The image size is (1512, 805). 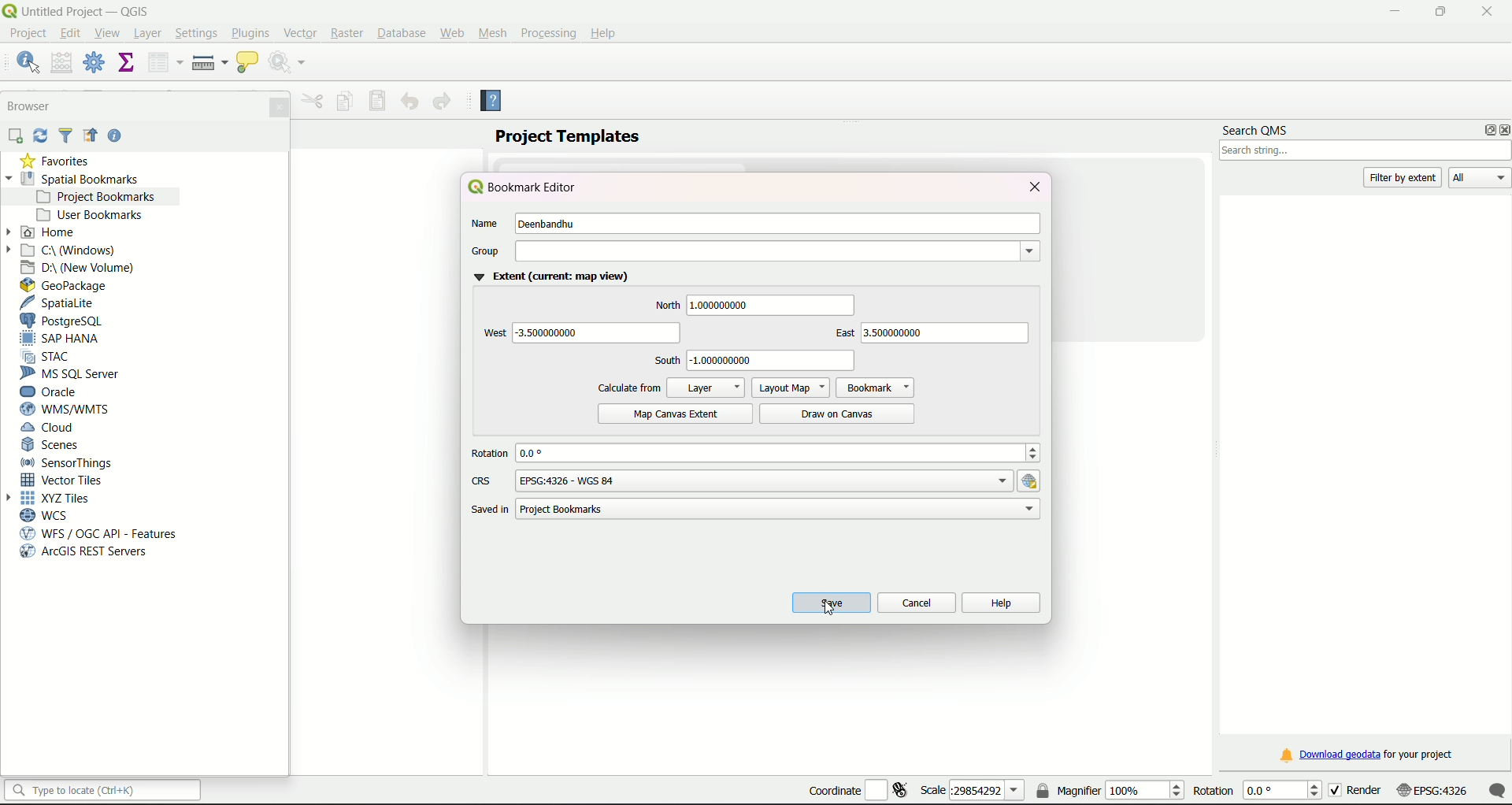 What do you see at coordinates (972, 791) in the screenshot?
I see `scale` at bounding box center [972, 791].